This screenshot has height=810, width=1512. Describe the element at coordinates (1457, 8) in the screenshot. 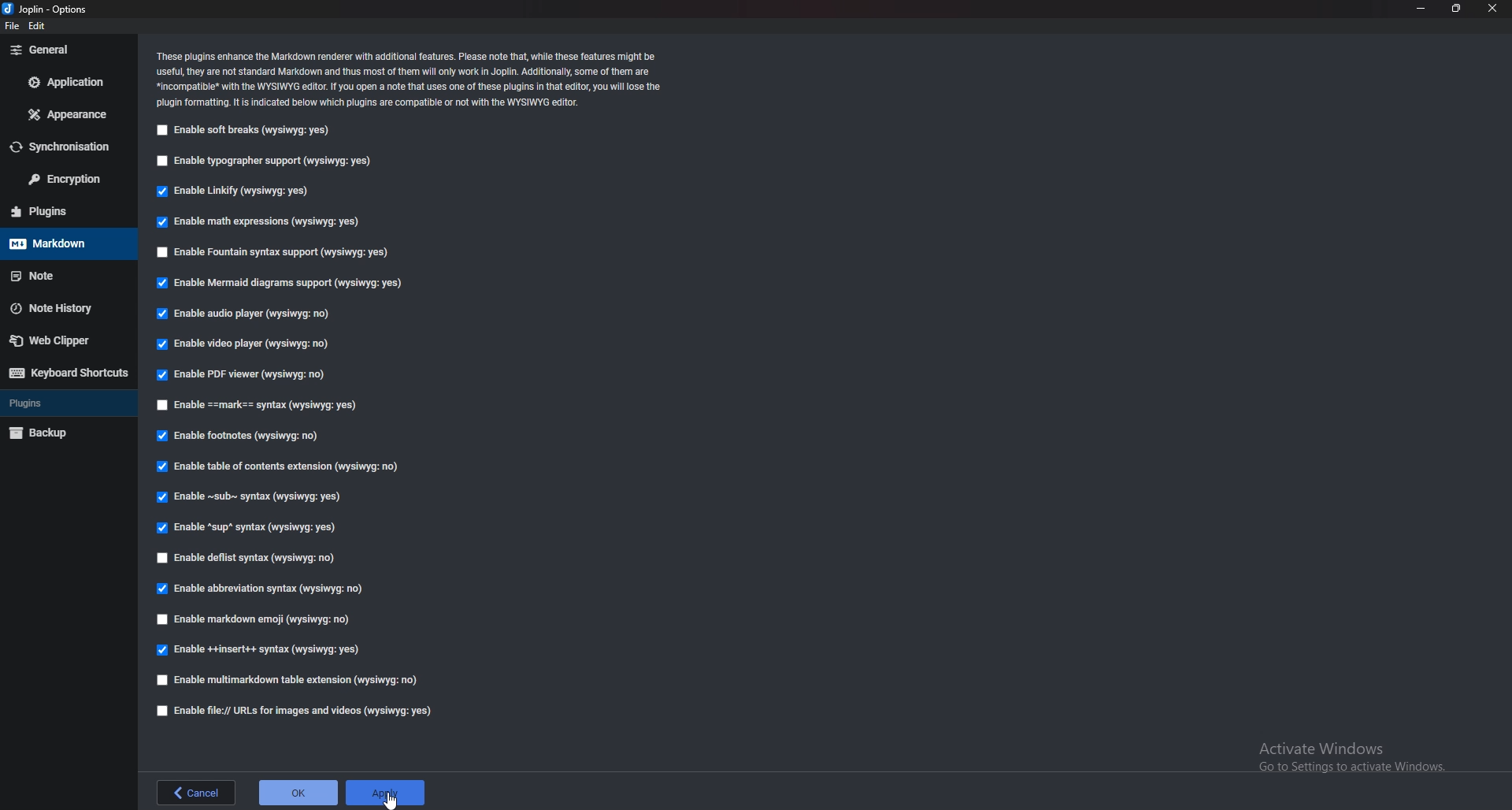

I see `resize` at that location.